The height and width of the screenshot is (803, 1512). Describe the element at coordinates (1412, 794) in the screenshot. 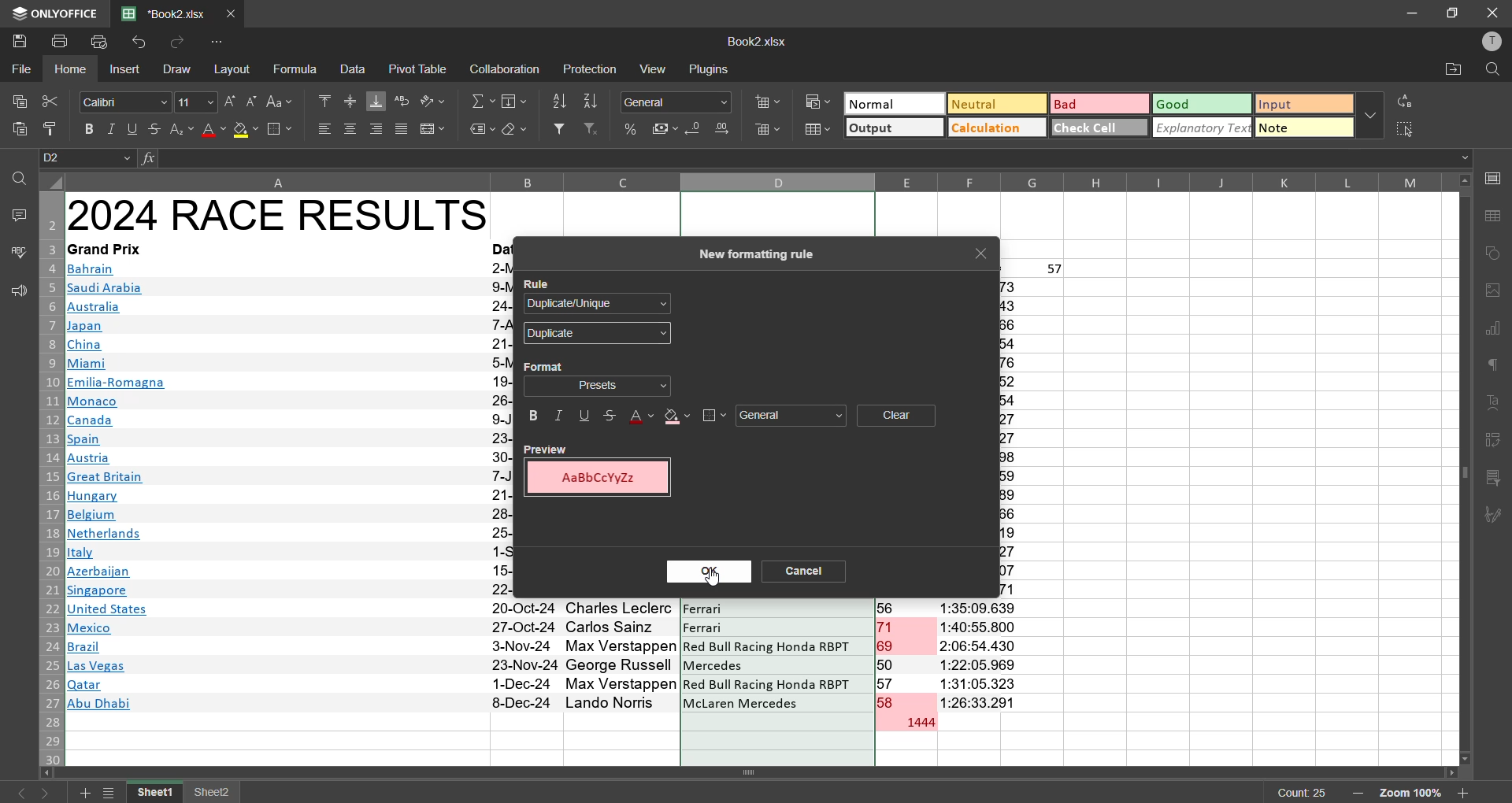

I see `zoom factor` at that location.